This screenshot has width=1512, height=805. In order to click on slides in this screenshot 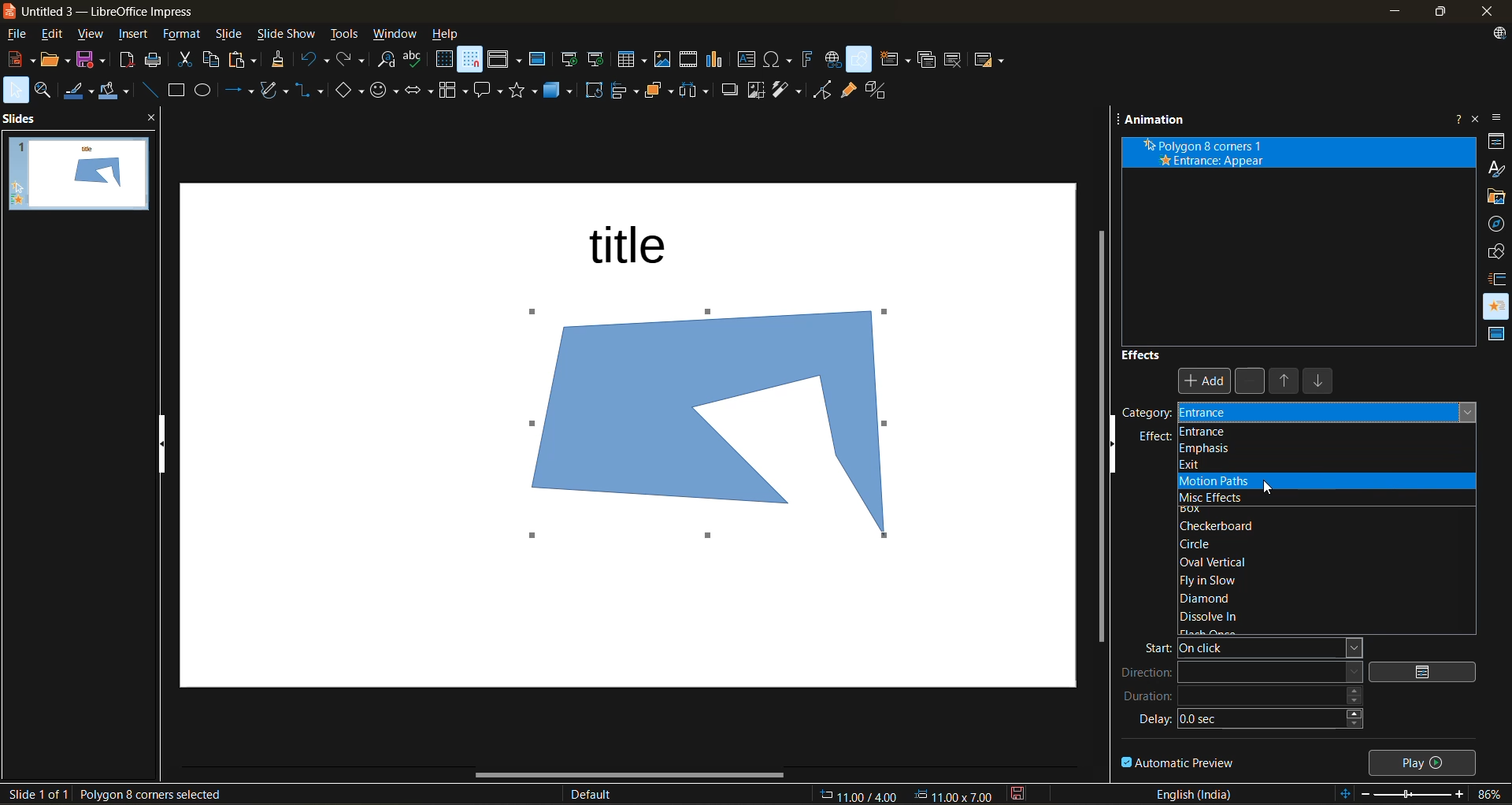, I will do `click(24, 118)`.